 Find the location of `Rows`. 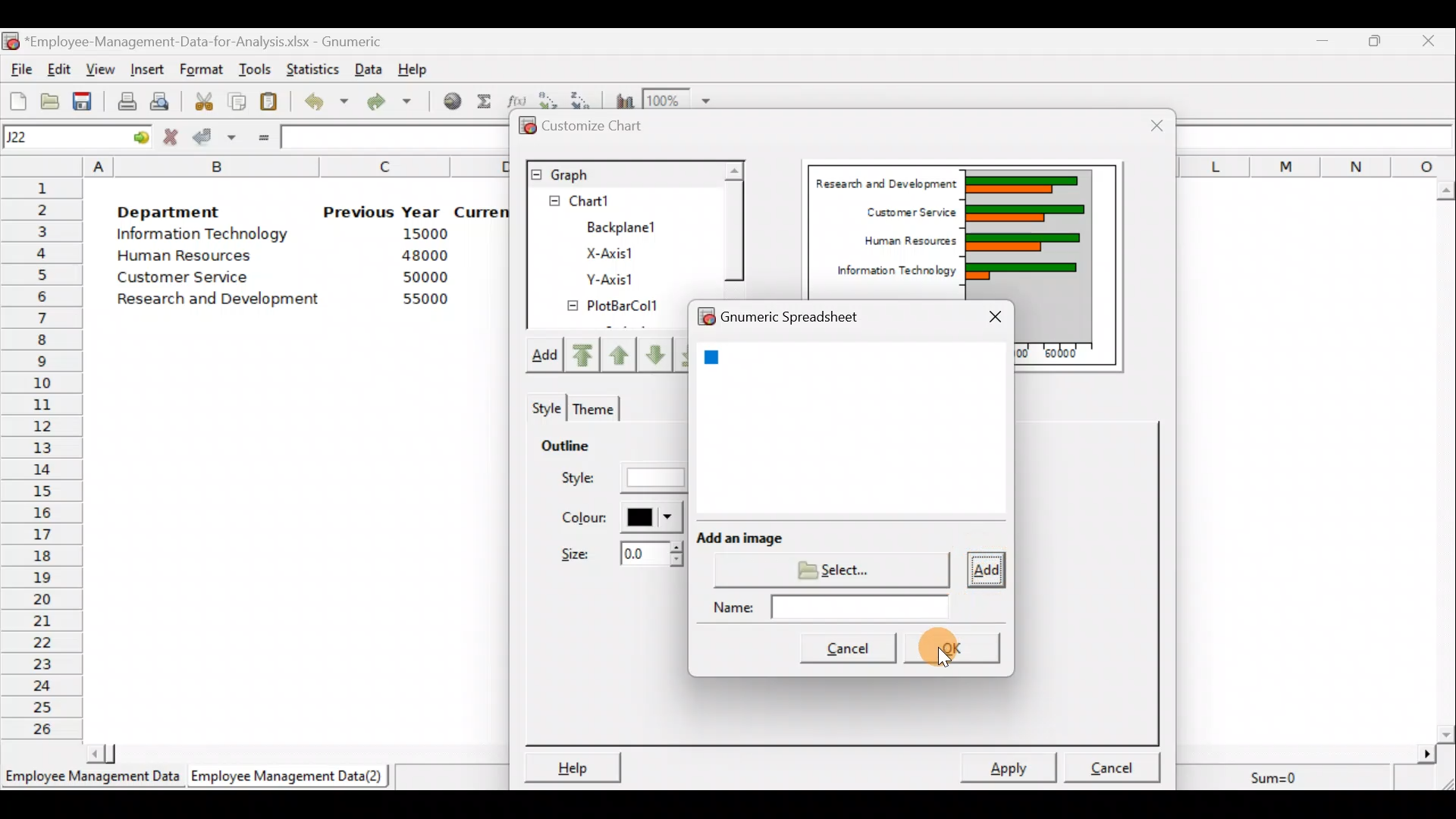

Rows is located at coordinates (42, 460).